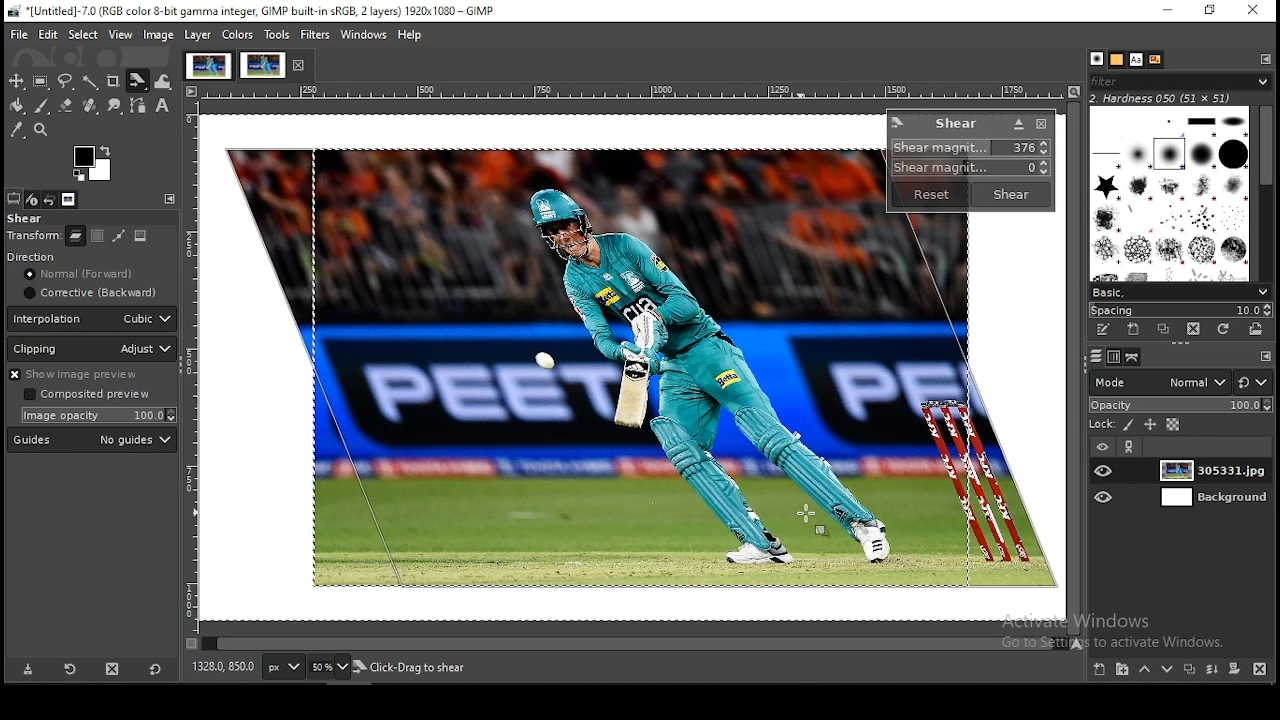 This screenshot has width=1280, height=720. I want to click on opacity, so click(1181, 405).